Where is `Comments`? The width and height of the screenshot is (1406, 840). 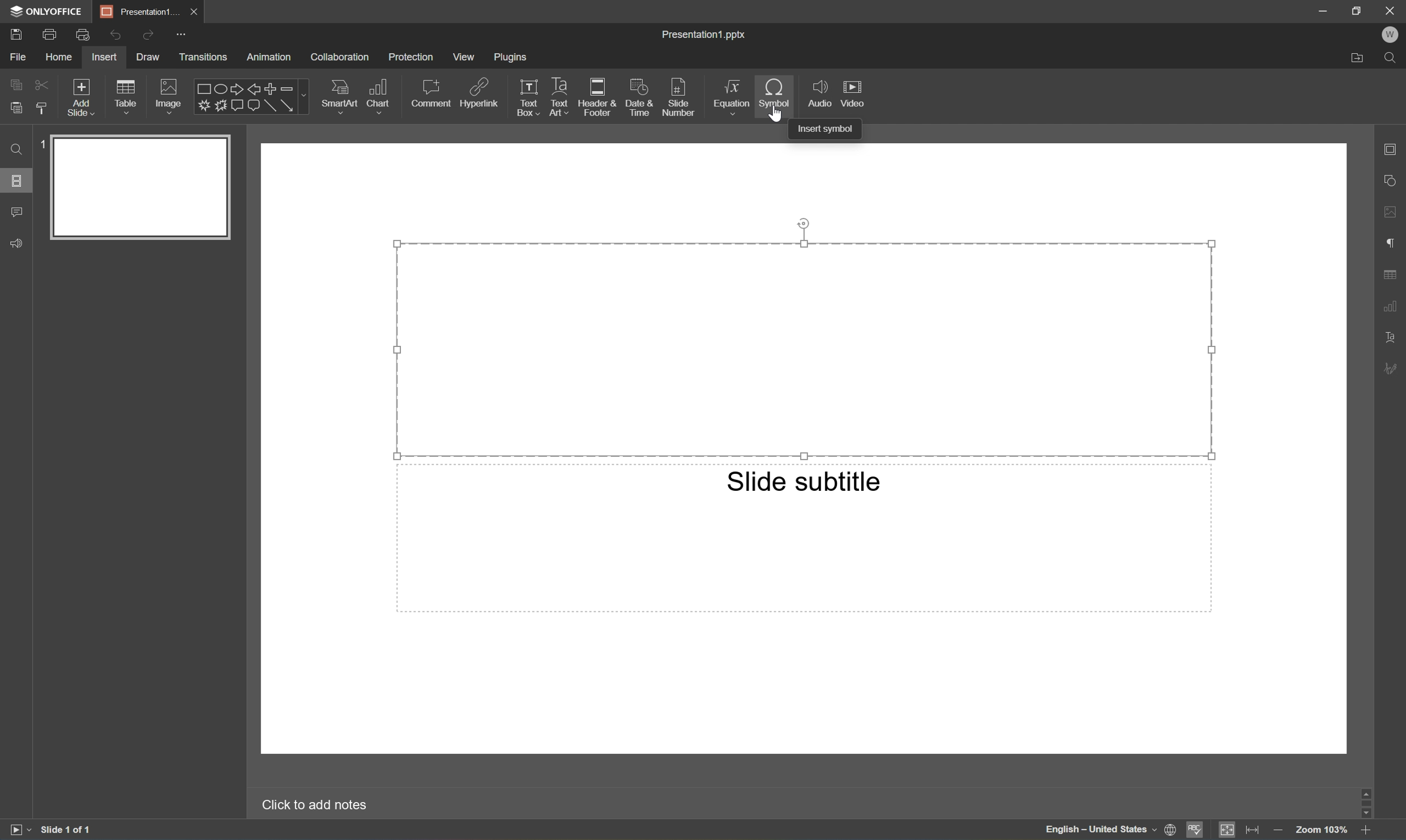 Comments is located at coordinates (18, 211).